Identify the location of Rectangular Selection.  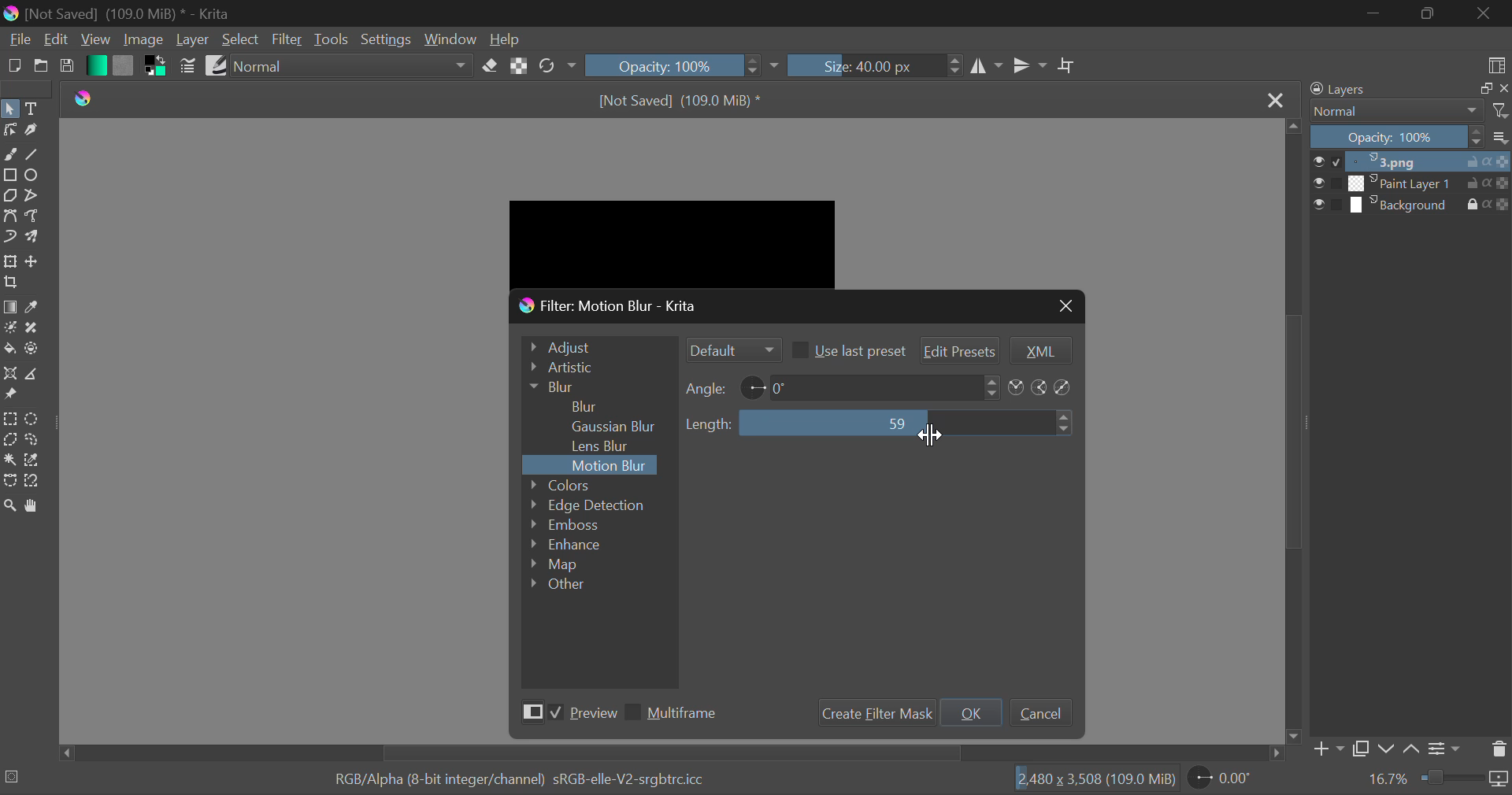
(9, 419).